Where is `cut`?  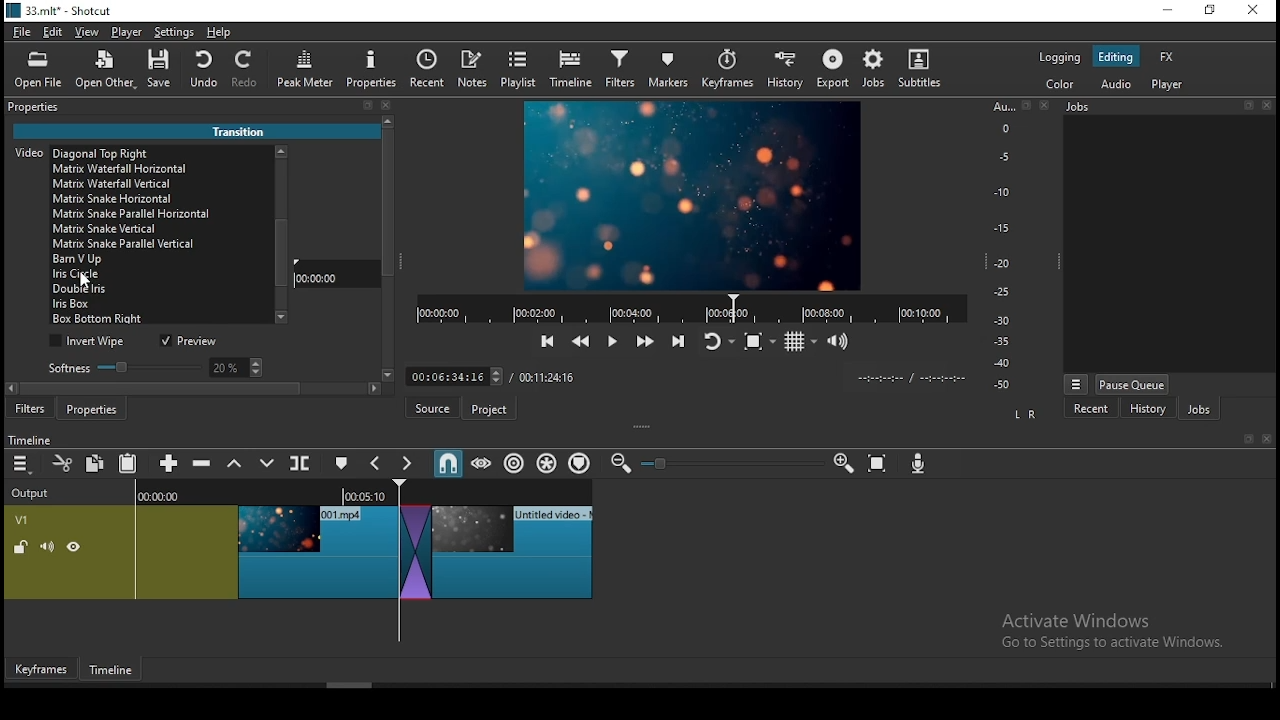
cut is located at coordinates (63, 463).